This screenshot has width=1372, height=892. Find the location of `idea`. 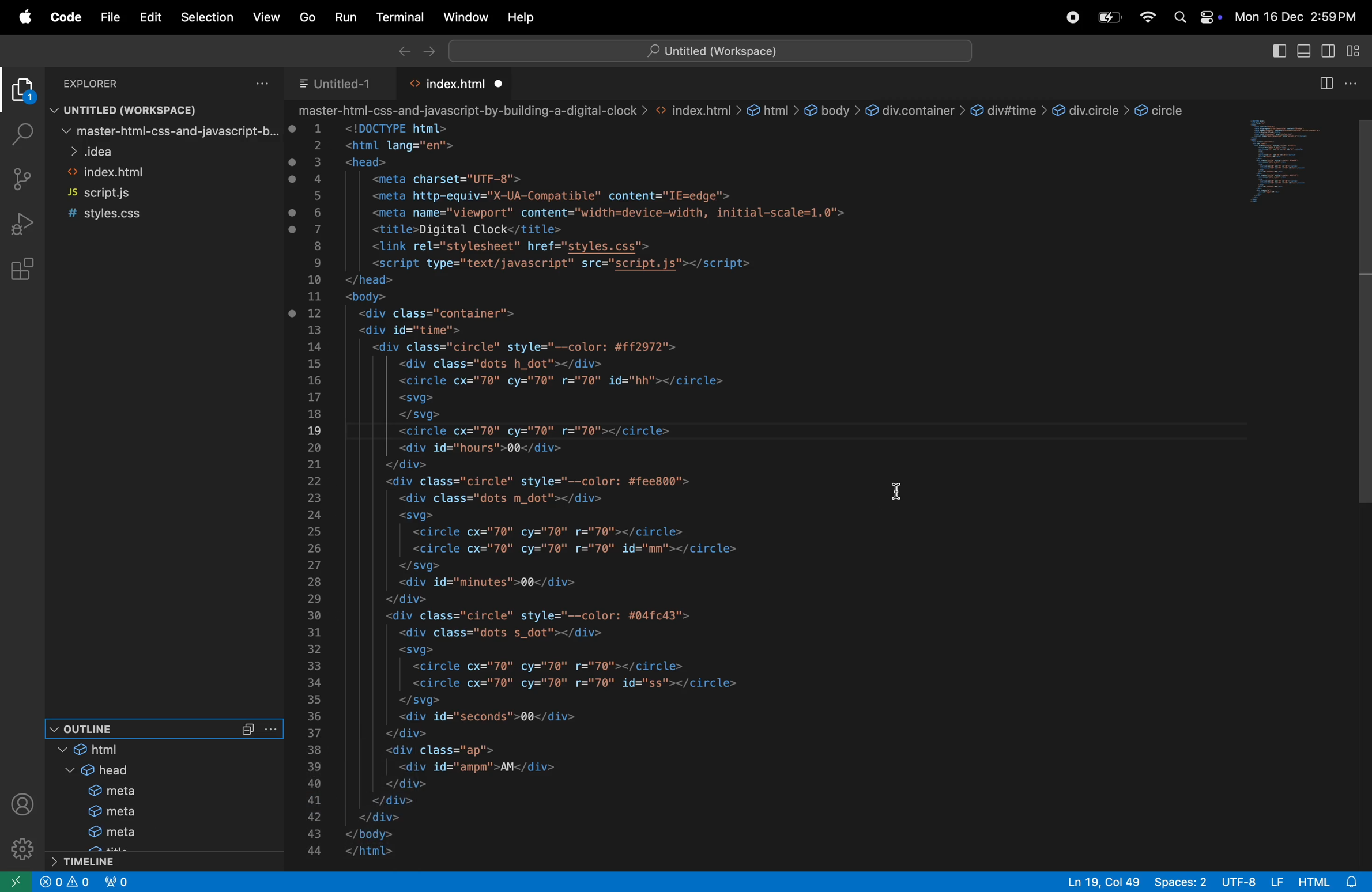

idea is located at coordinates (168, 150).